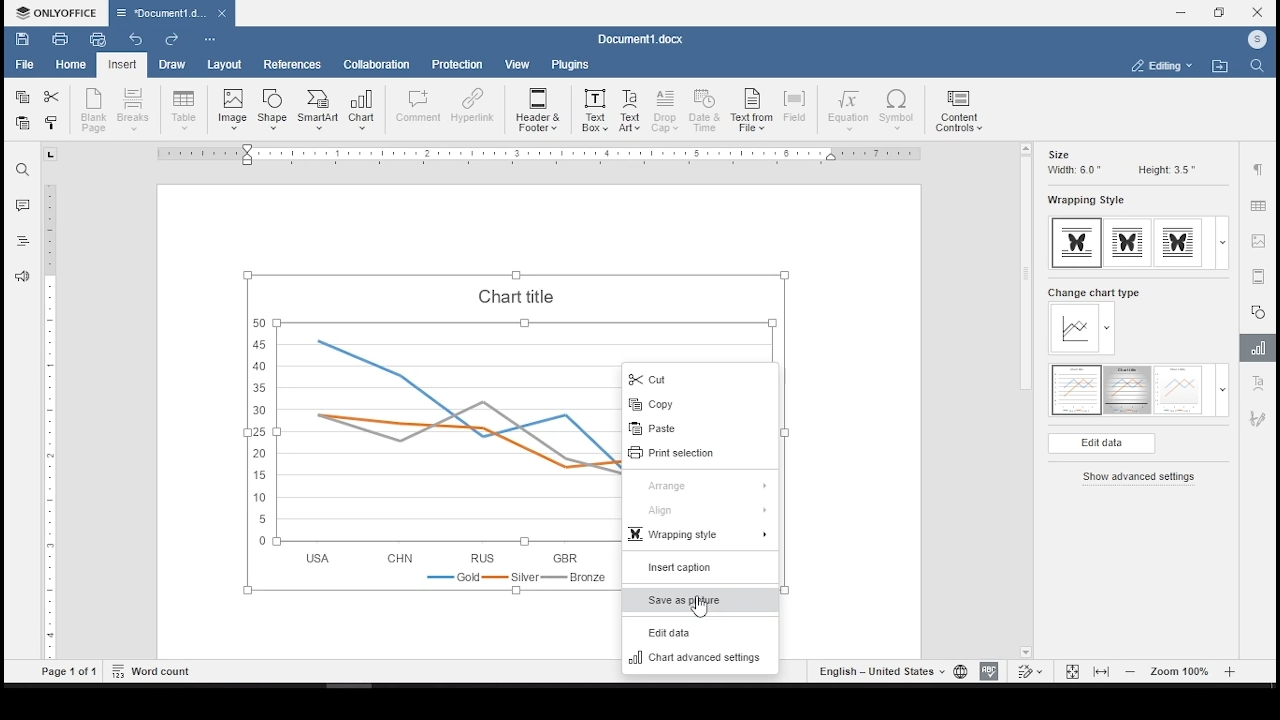 This screenshot has height=720, width=1280. I want to click on save as picture, so click(699, 600).